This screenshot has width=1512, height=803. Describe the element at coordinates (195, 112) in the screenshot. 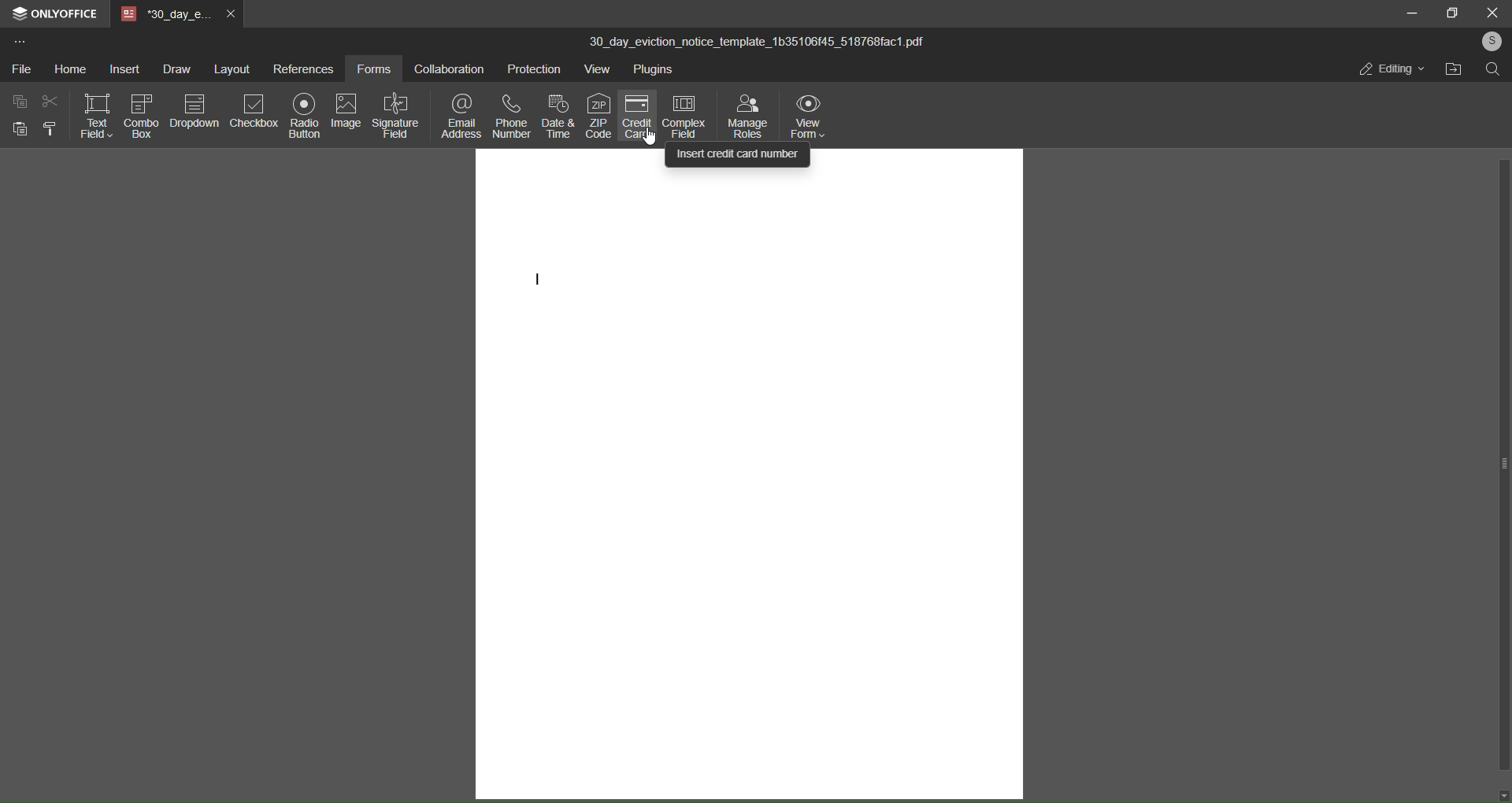

I see `dropdown` at that location.